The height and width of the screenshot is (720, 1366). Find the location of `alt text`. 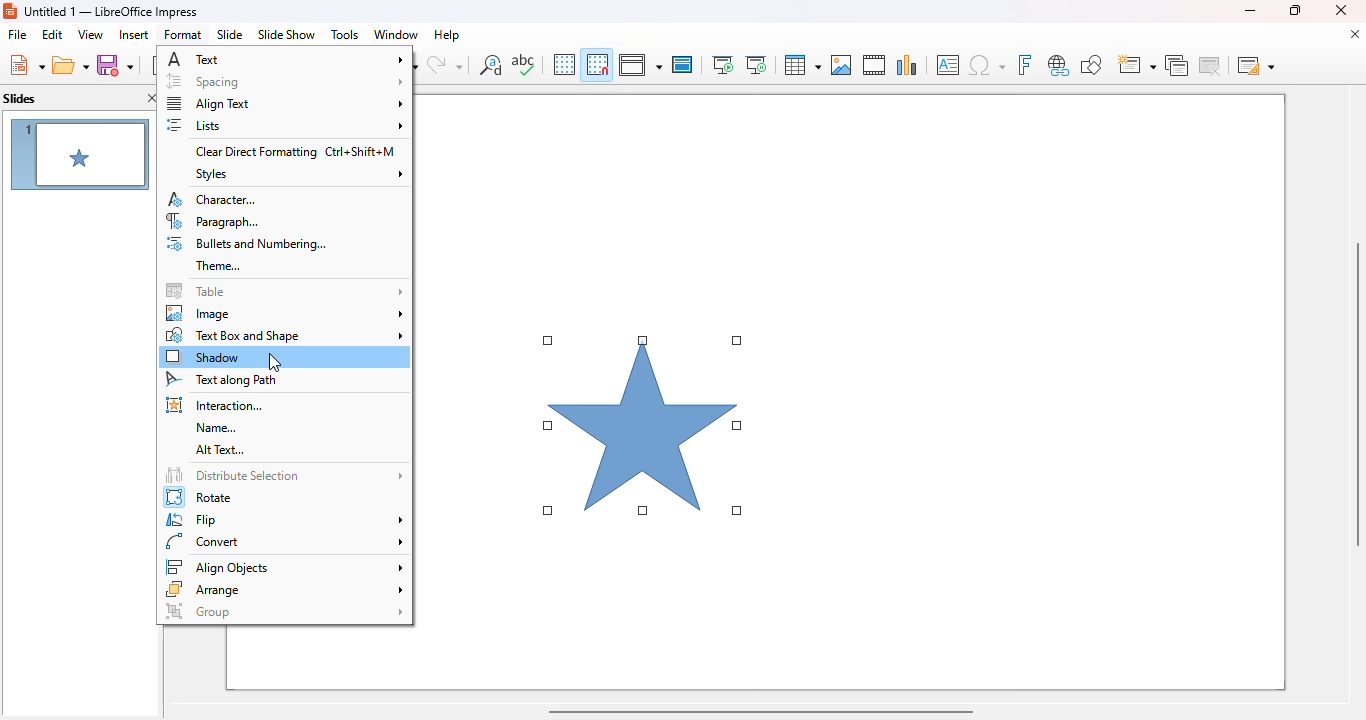

alt text is located at coordinates (222, 450).